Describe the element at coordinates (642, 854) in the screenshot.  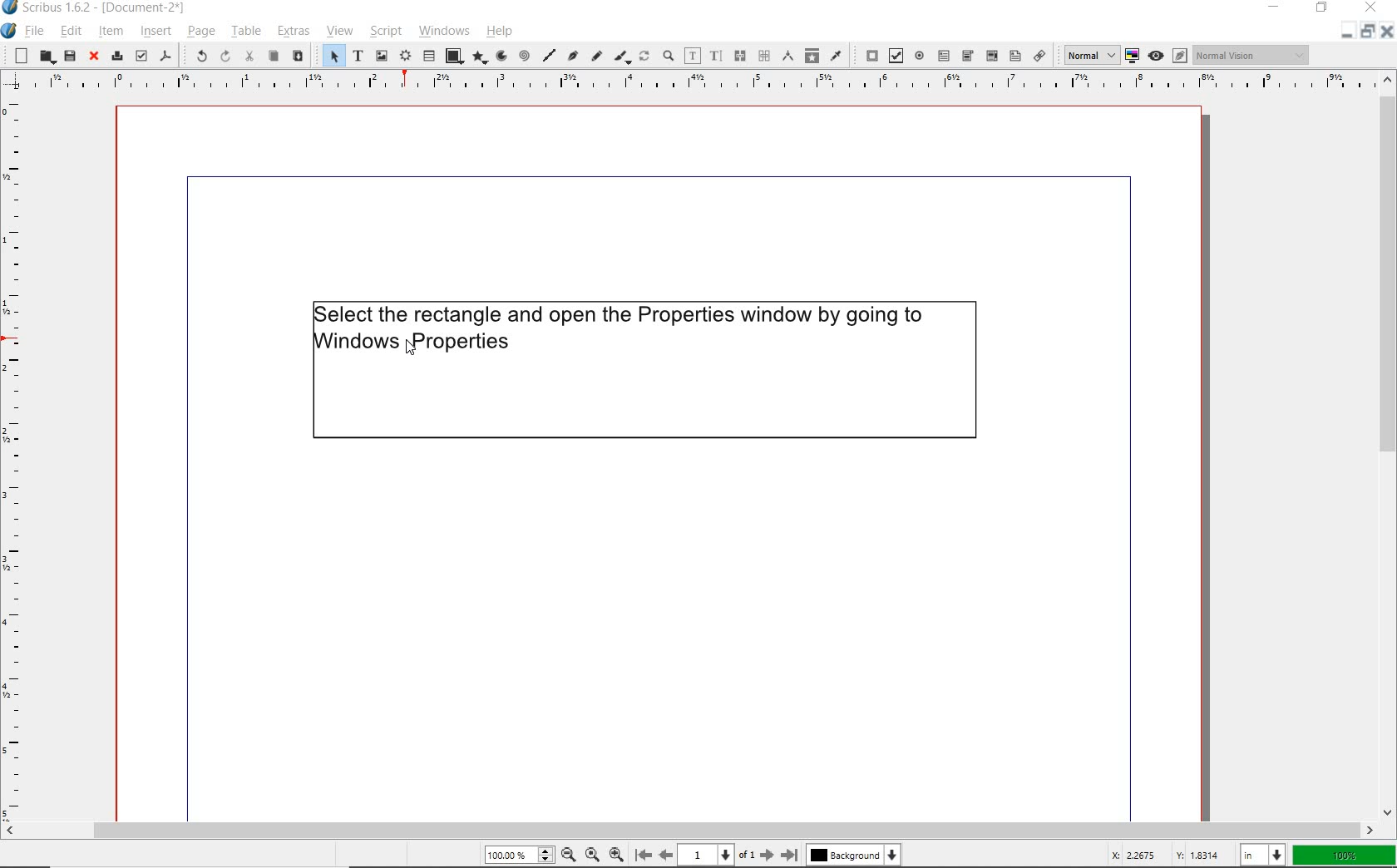
I see `go to the first page` at that location.